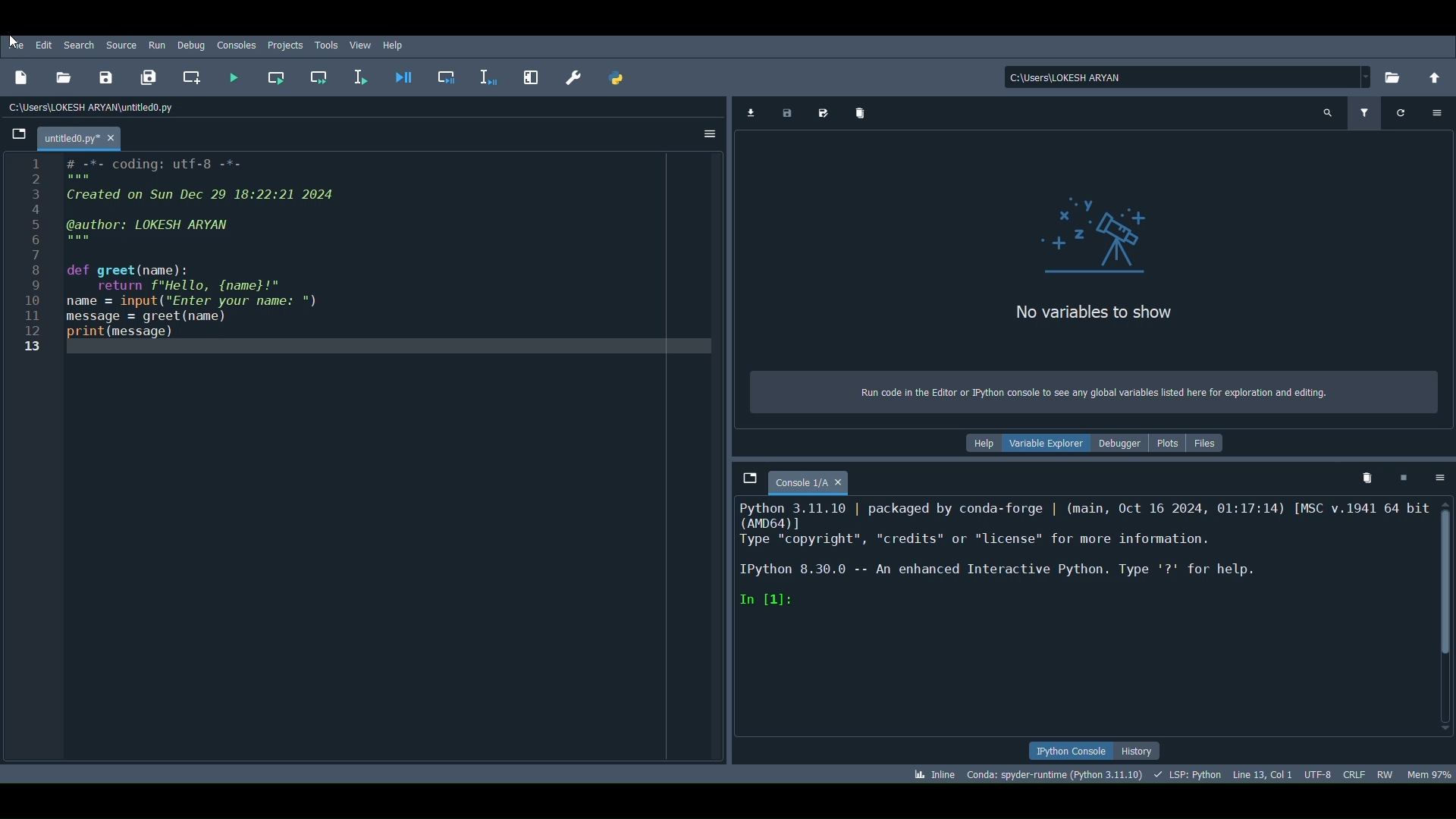 Image resolution: width=1456 pixels, height=819 pixels. I want to click on Remove all variables from namespace, so click(1367, 474).